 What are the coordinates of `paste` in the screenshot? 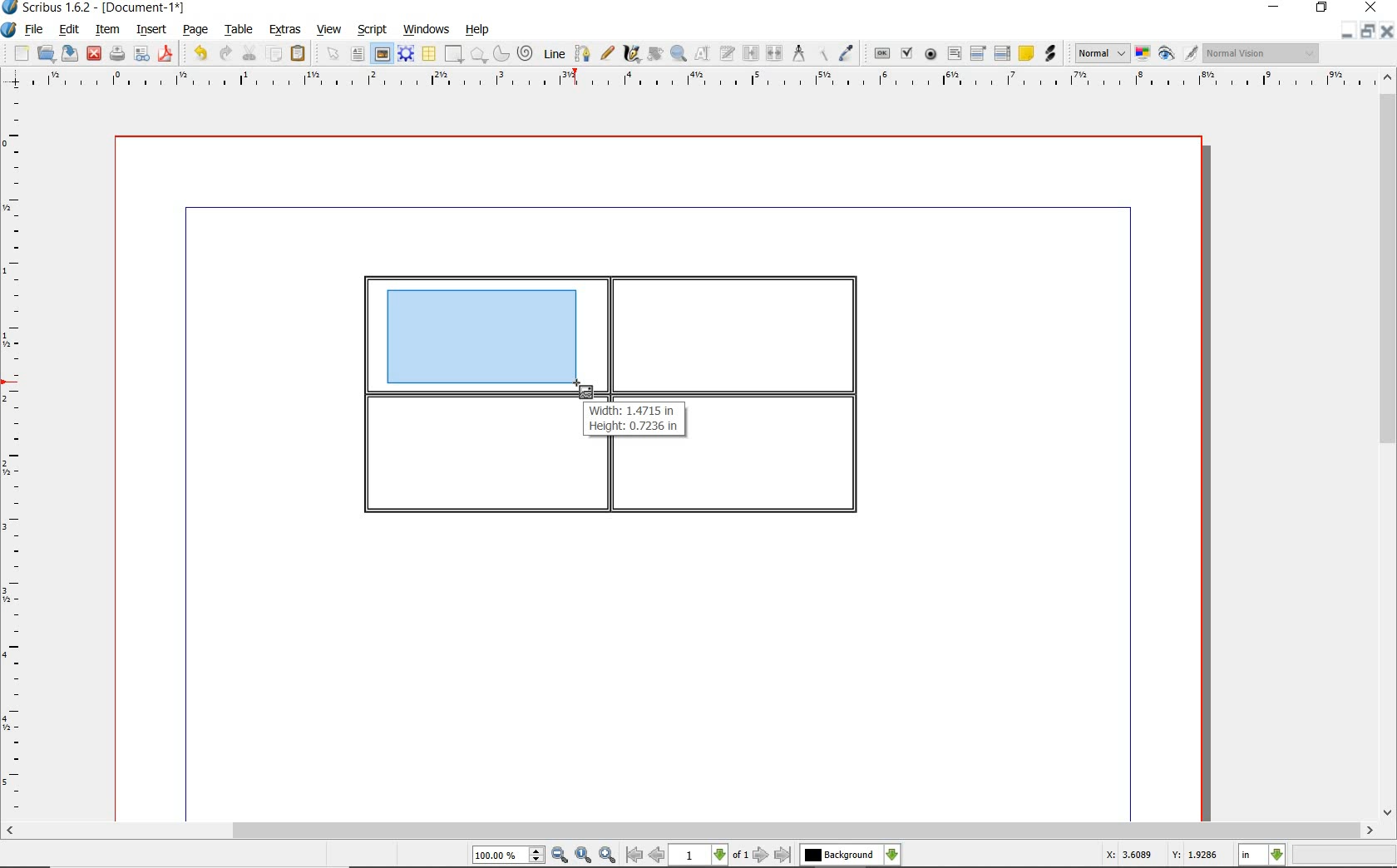 It's located at (298, 53).